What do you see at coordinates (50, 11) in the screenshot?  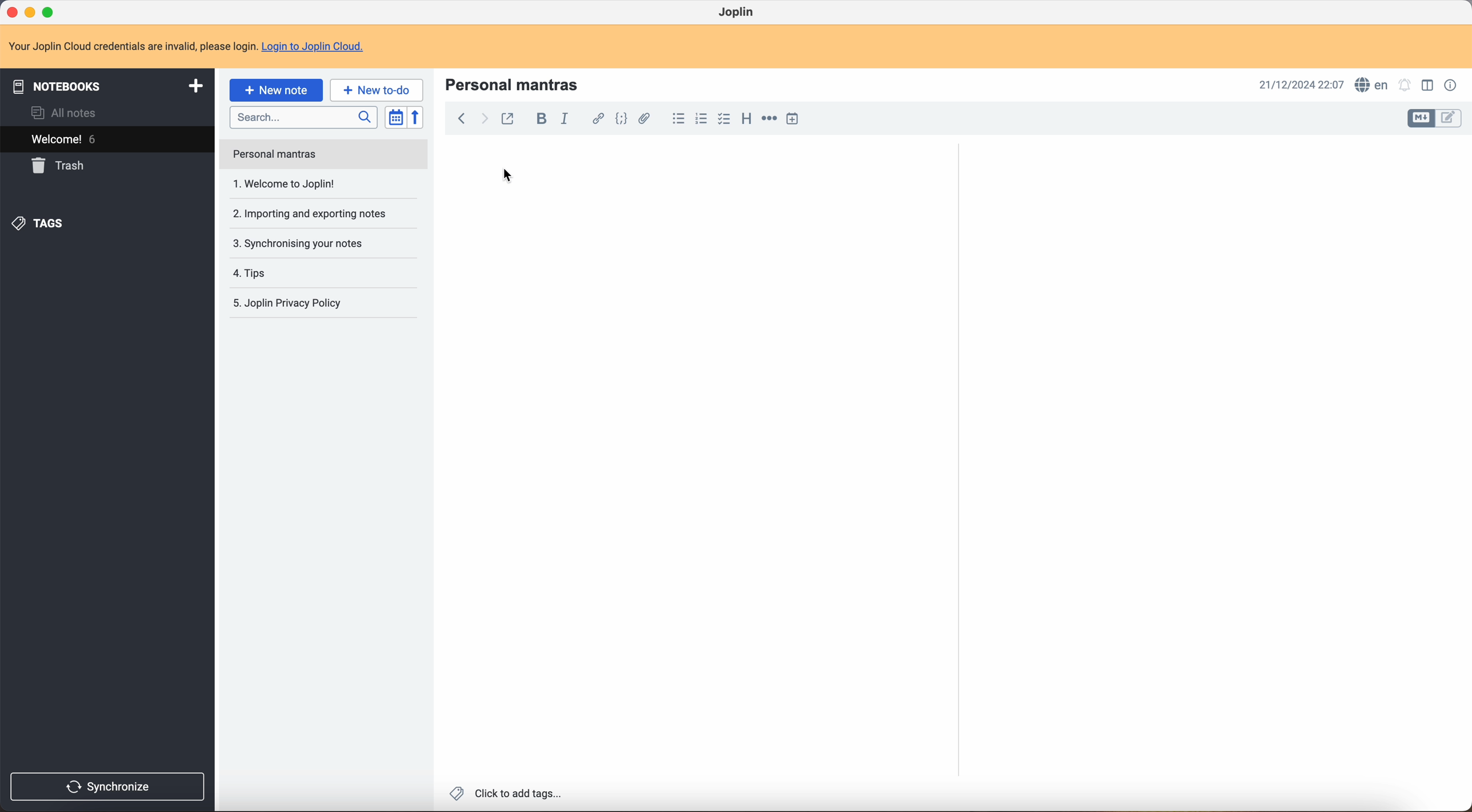 I see `maximize program` at bounding box center [50, 11].